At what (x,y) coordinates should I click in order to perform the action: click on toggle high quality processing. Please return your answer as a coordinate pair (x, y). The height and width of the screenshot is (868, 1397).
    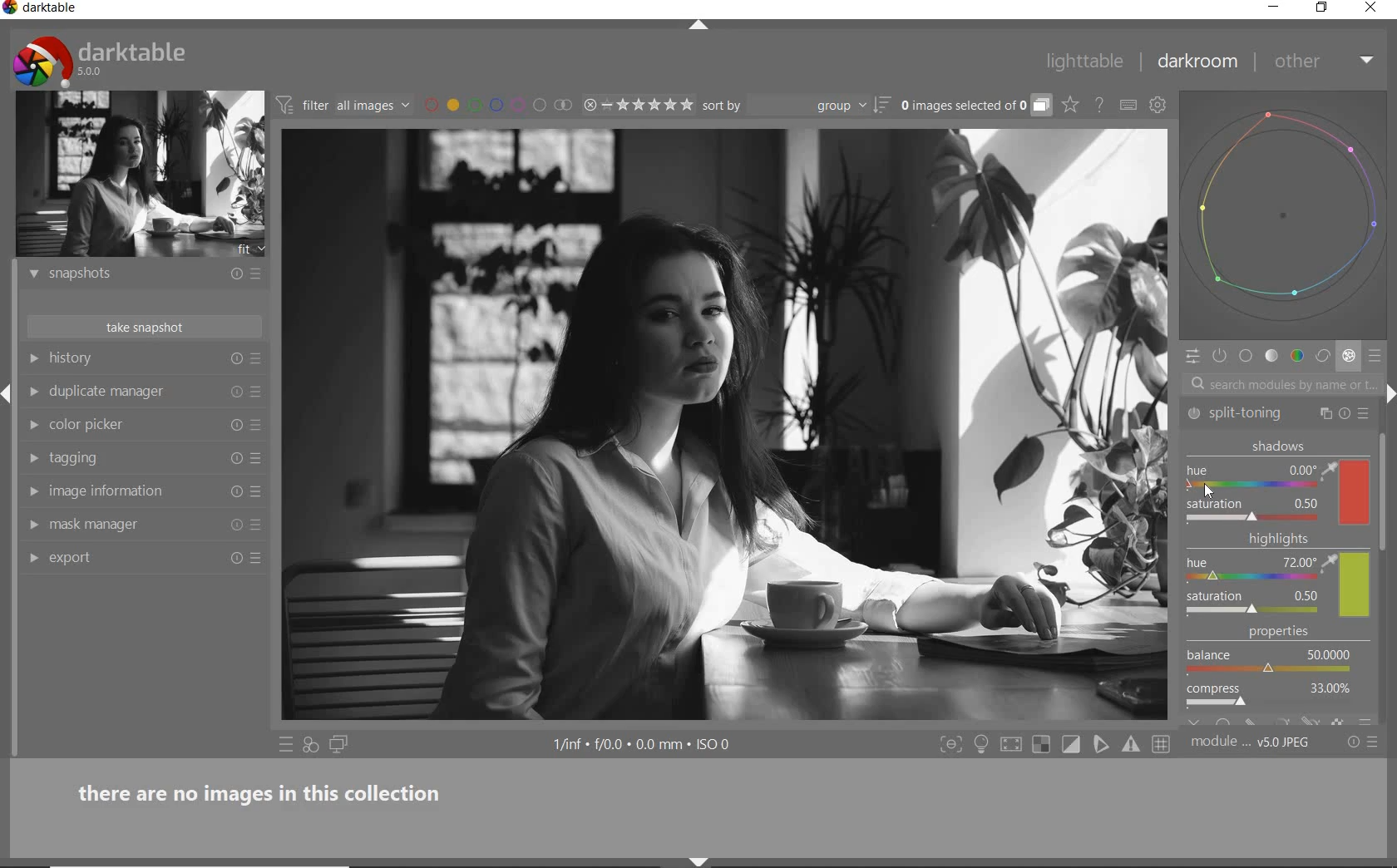
    Looking at the image, I should click on (1013, 745).